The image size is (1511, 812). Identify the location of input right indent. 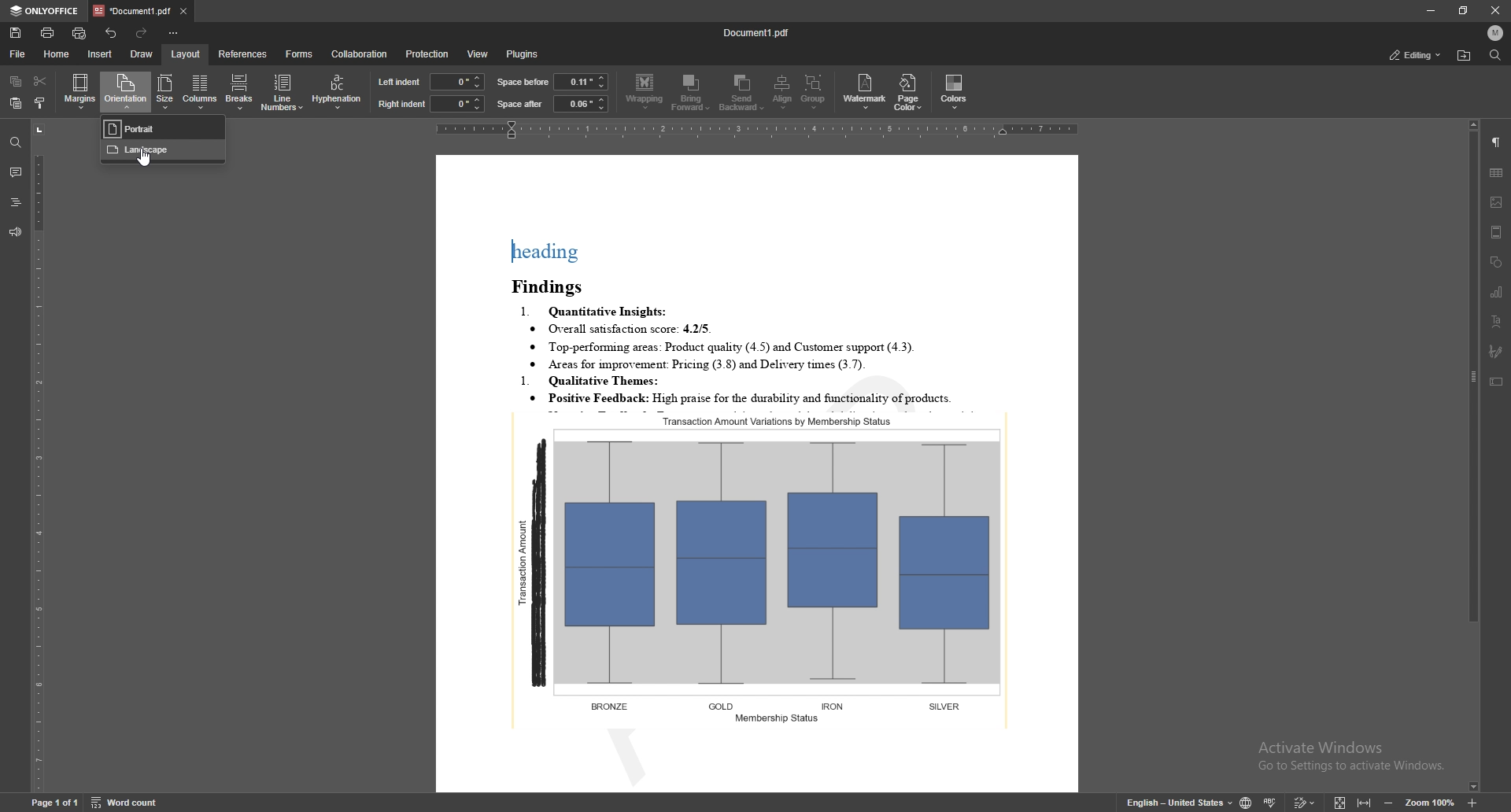
(457, 104).